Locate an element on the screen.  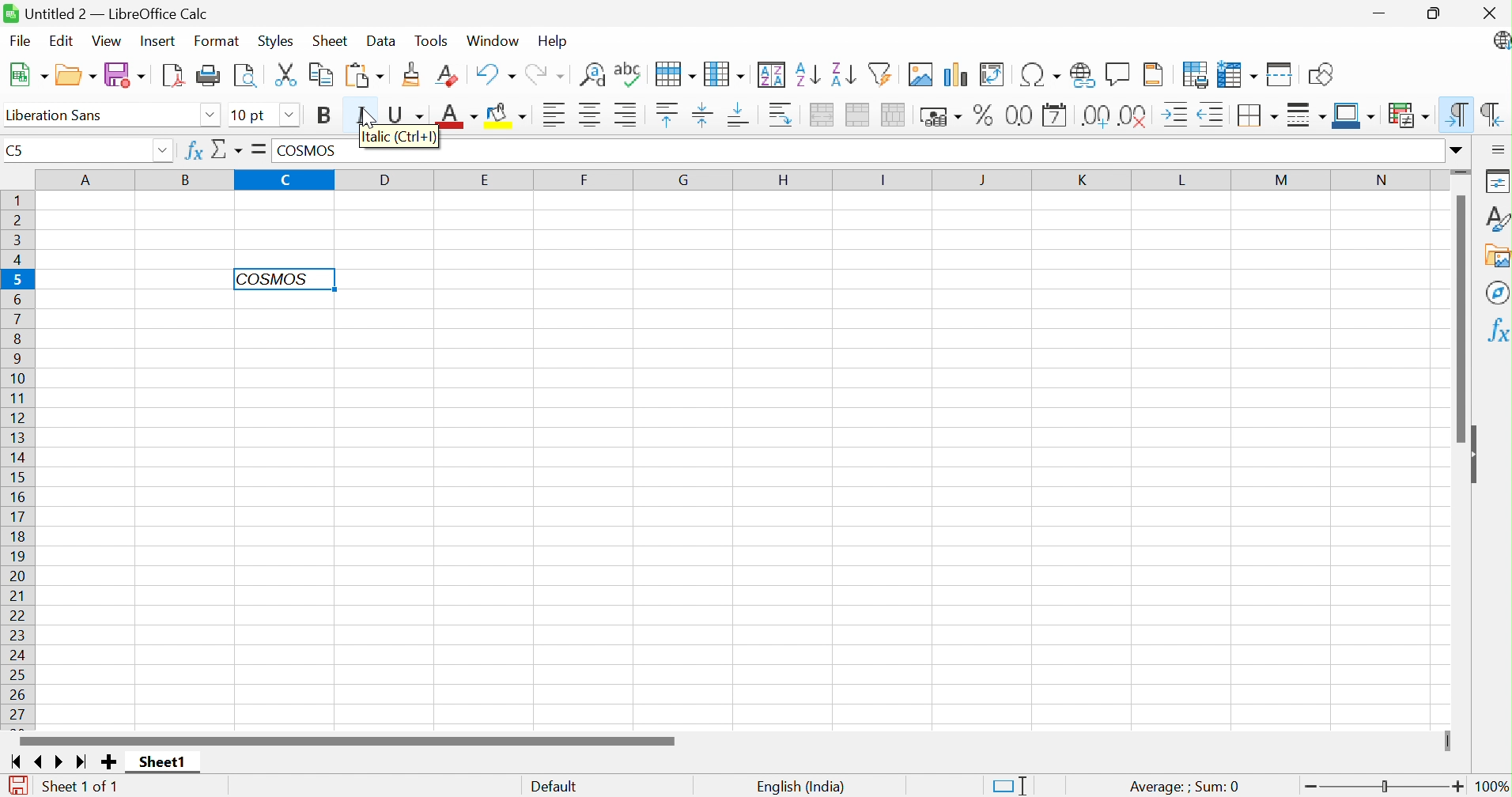
Paste is located at coordinates (364, 77).